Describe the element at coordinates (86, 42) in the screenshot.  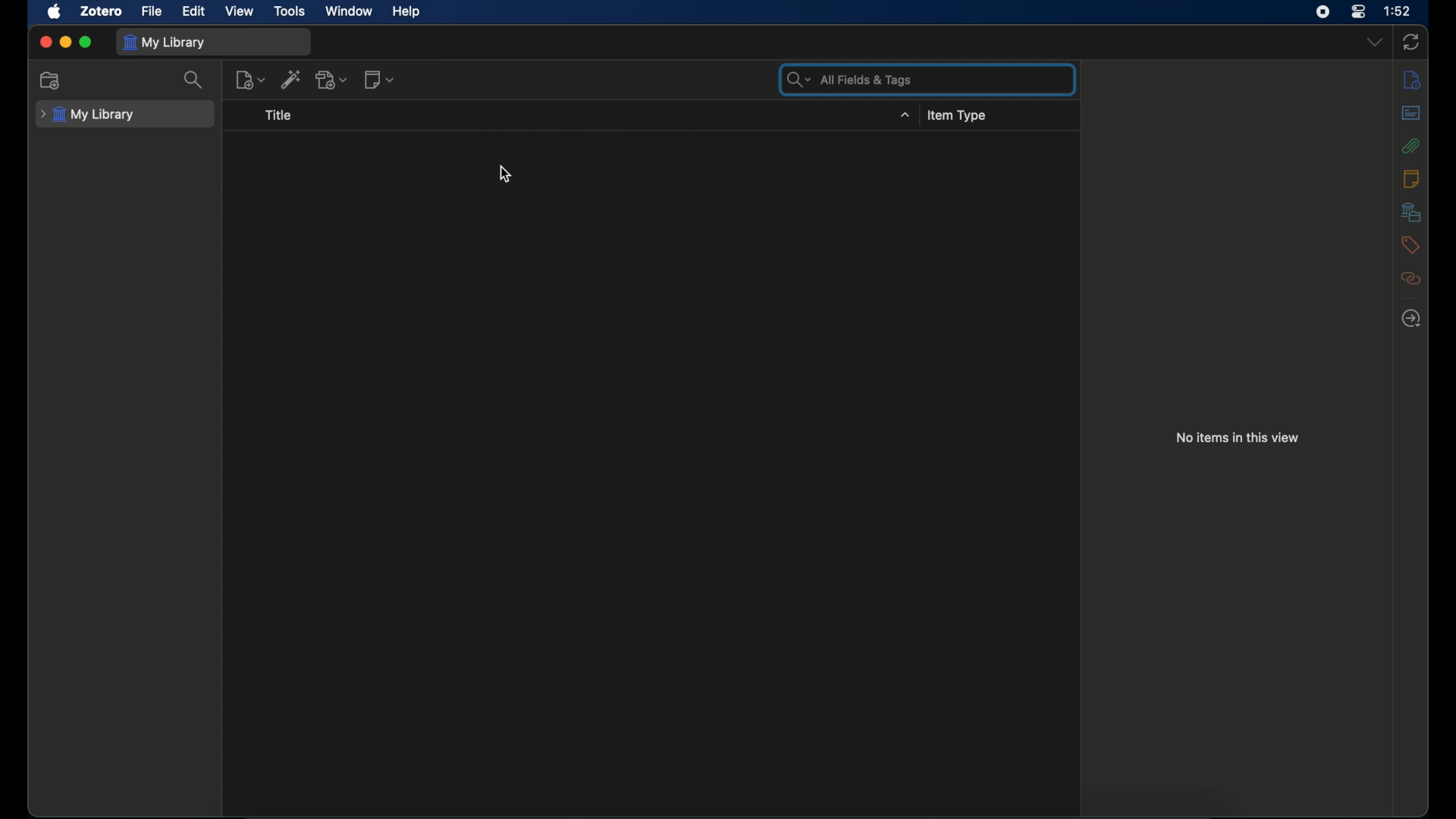
I see `maximize` at that location.